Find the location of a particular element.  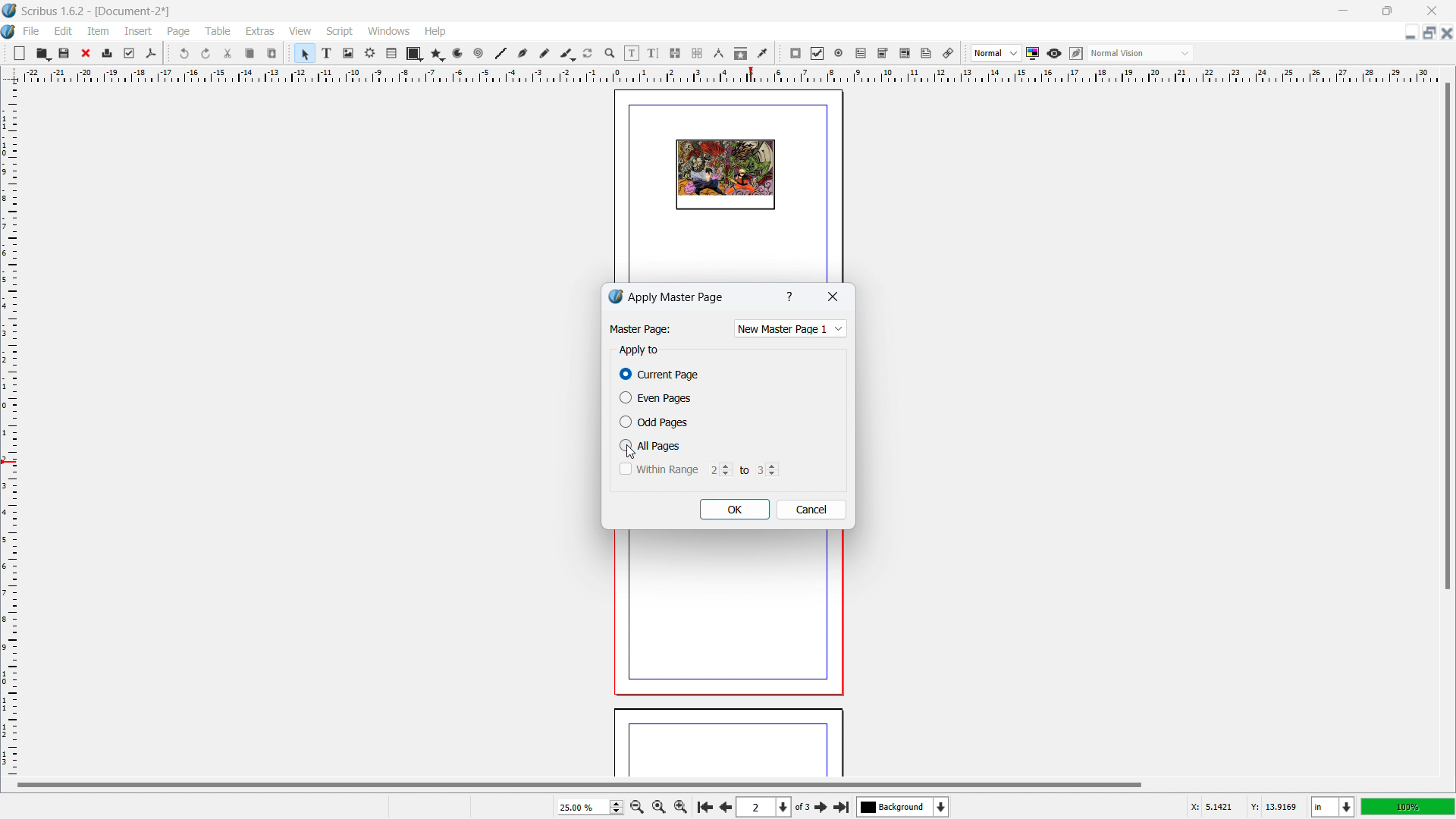

preview mode is located at coordinates (1054, 54).